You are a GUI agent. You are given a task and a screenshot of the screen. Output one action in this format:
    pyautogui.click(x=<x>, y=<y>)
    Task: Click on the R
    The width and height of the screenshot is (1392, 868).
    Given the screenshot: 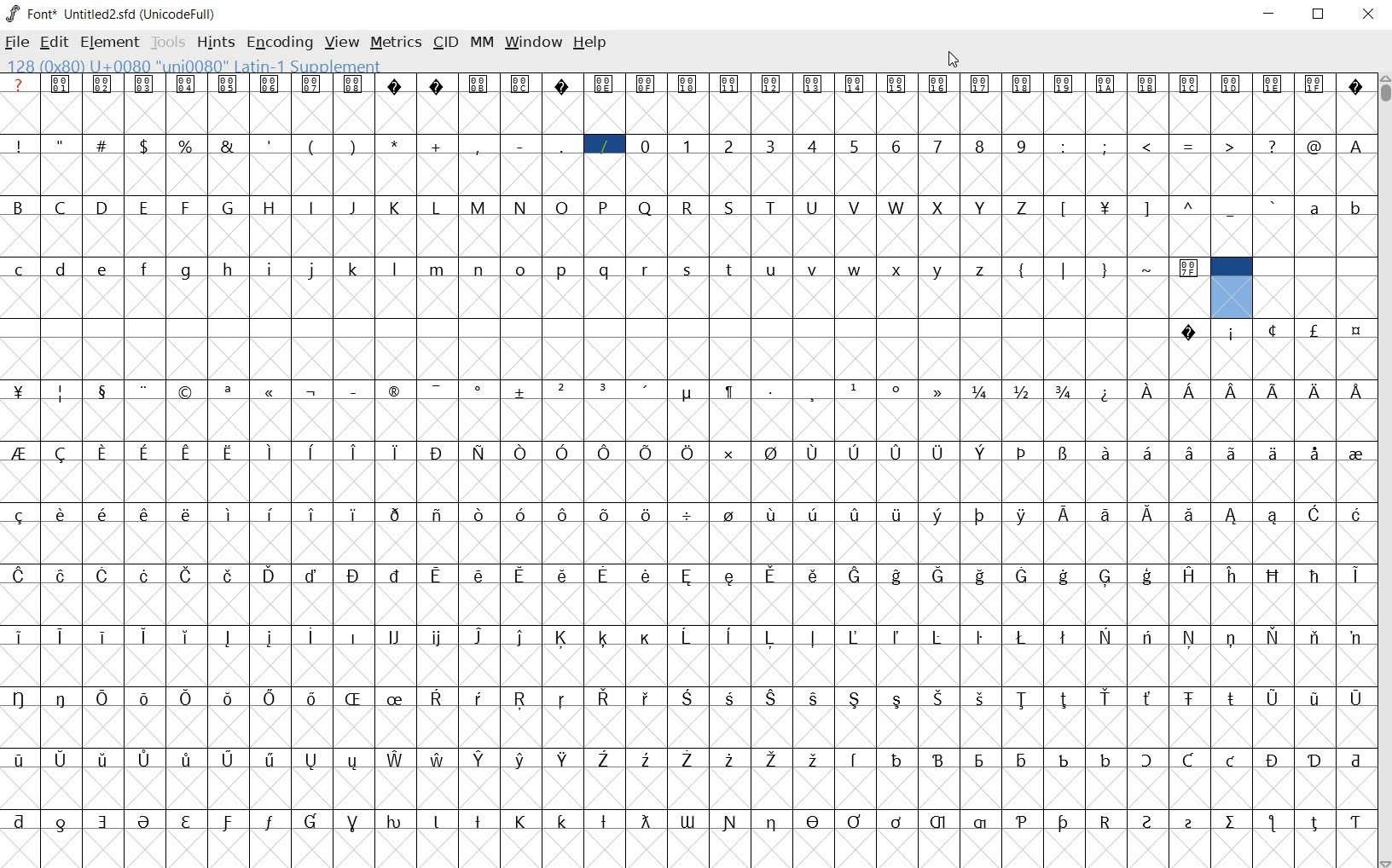 What is the action you would take?
    pyautogui.click(x=689, y=206)
    